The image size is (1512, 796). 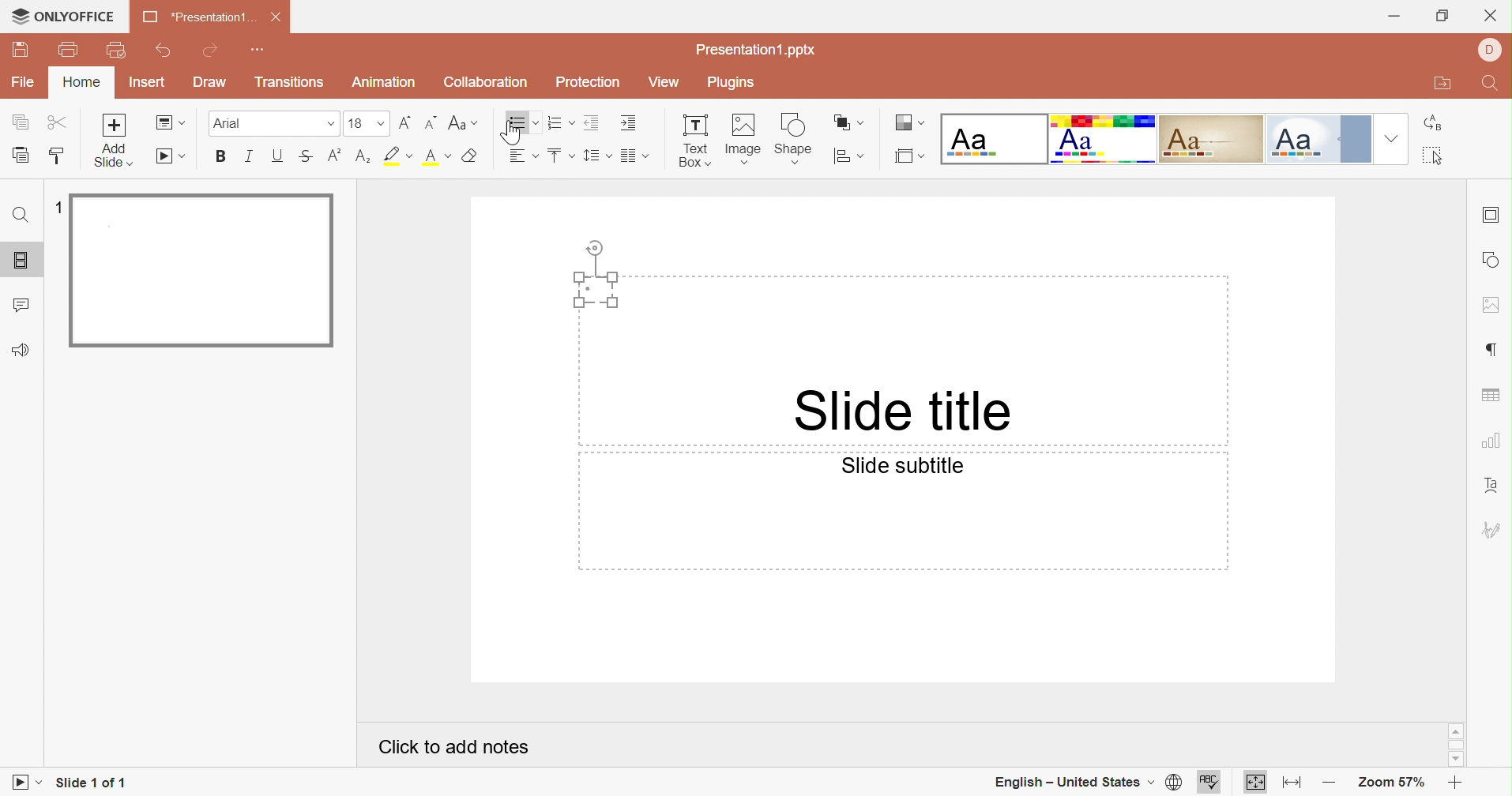 What do you see at coordinates (454, 744) in the screenshot?
I see `Click to add notes` at bounding box center [454, 744].